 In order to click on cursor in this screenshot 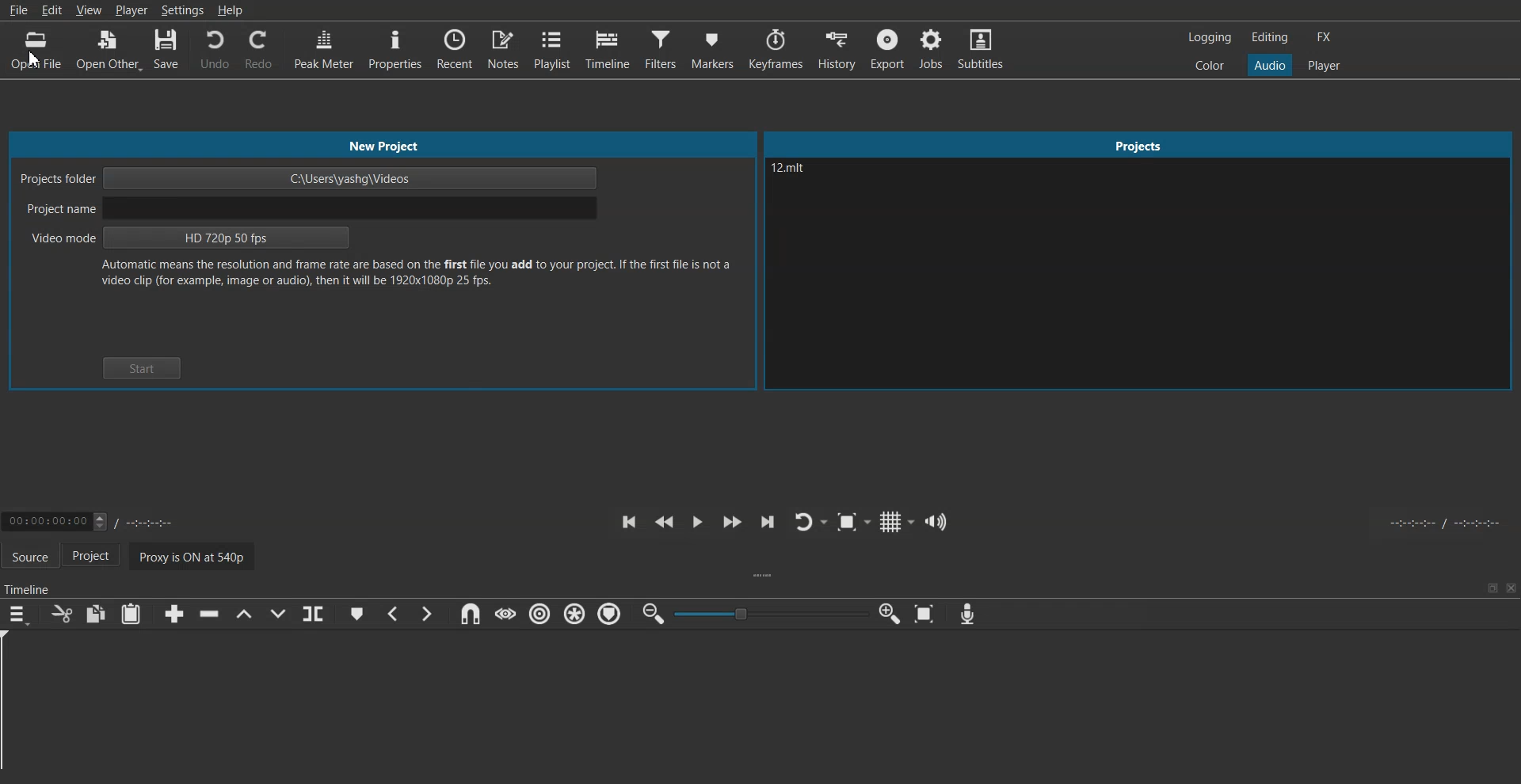, I will do `click(36, 61)`.